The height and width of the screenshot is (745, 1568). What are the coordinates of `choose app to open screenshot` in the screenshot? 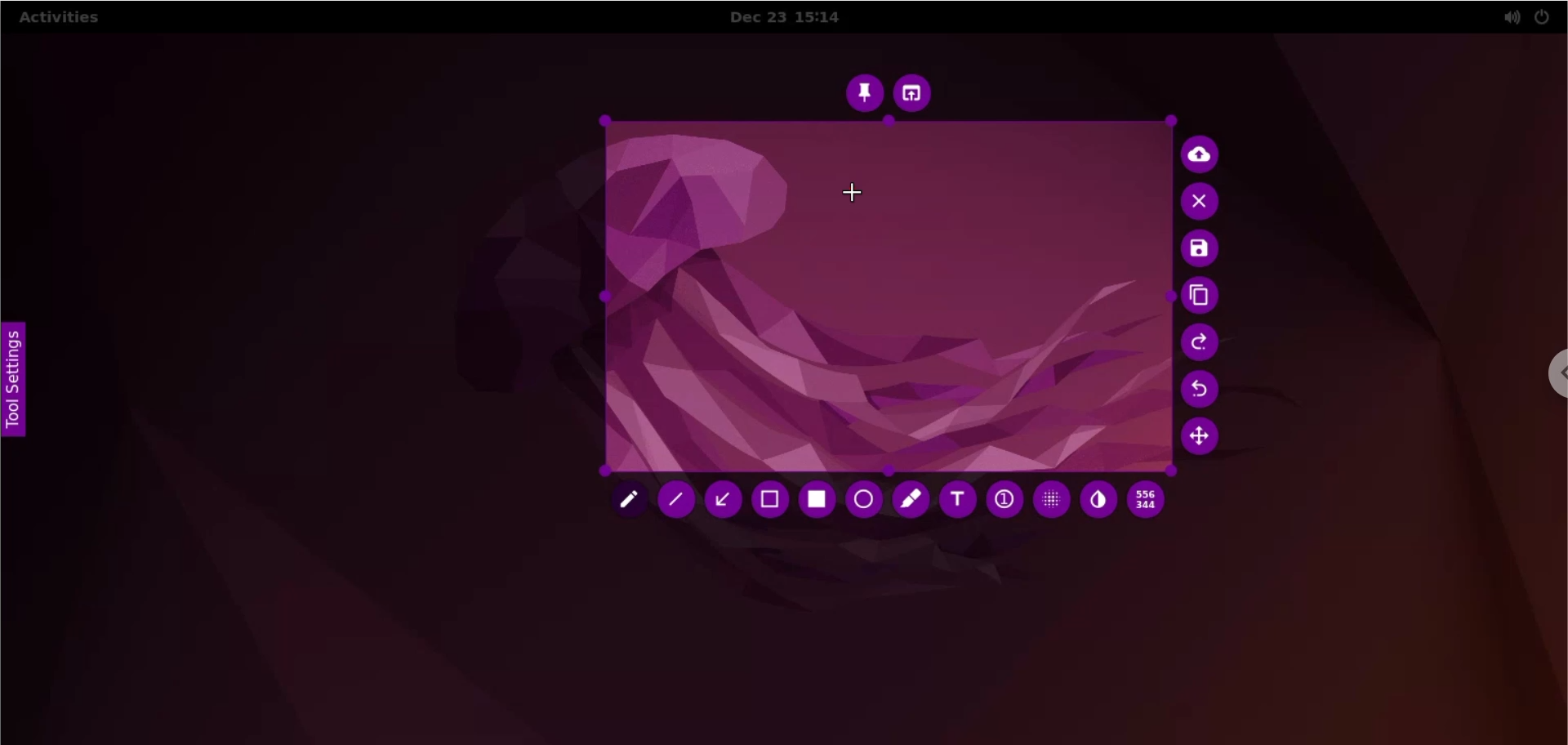 It's located at (920, 93).